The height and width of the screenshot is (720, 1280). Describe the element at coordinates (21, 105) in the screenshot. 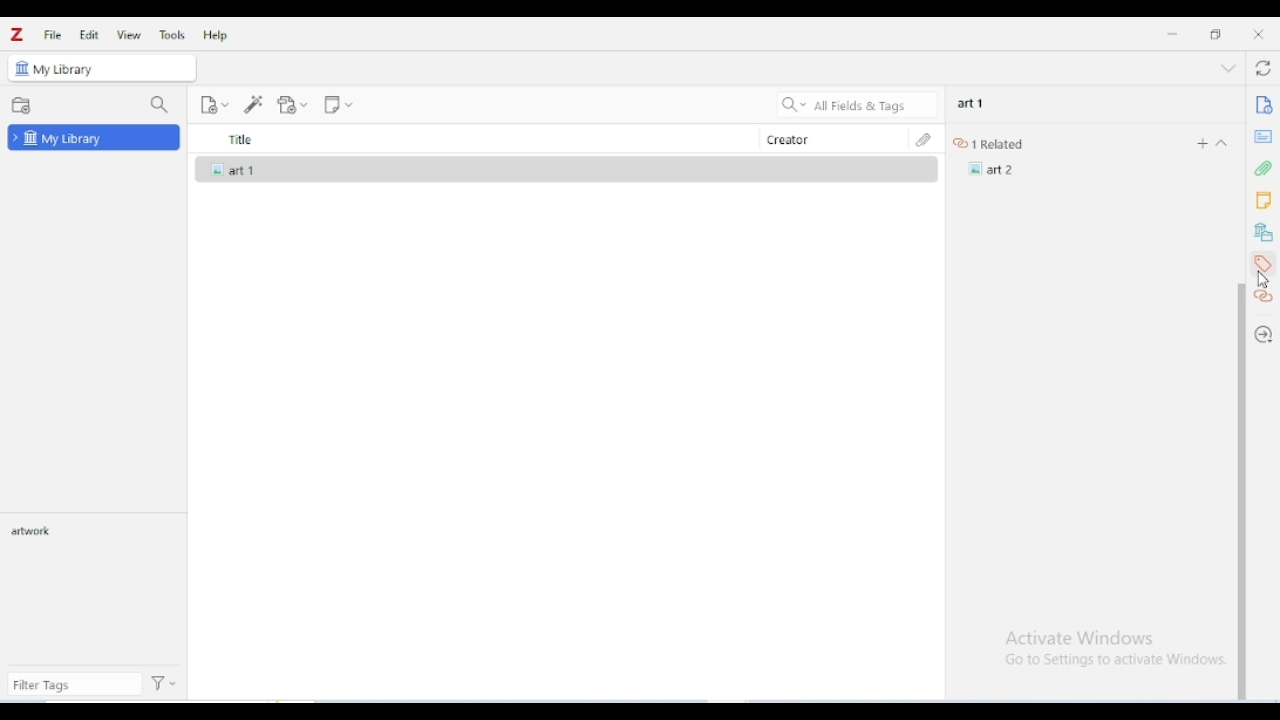

I see `new collection` at that location.